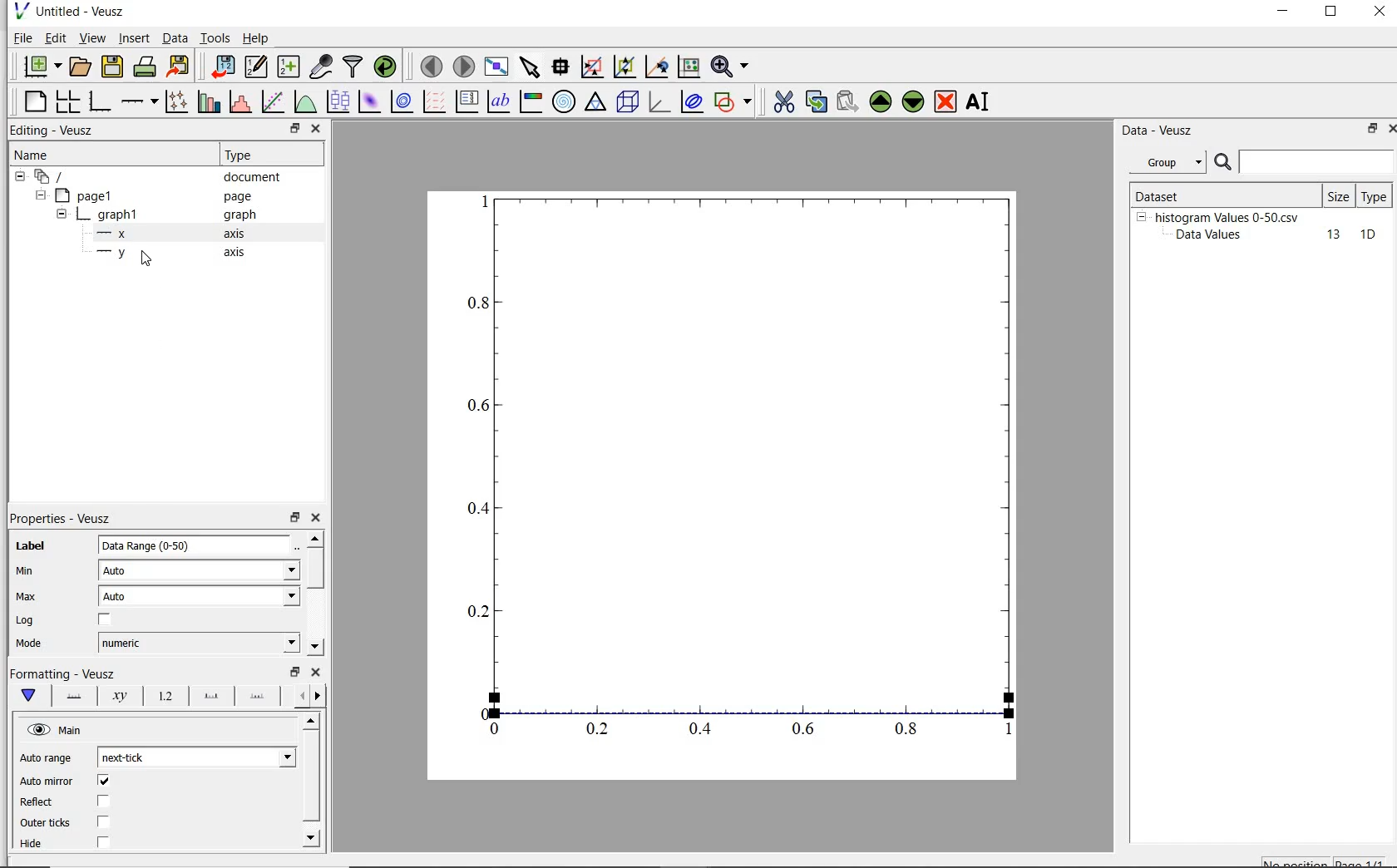  What do you see at coordinates (1367, 130) in the screenshot?
I see `restore down` at bounding box center [1367, 130].